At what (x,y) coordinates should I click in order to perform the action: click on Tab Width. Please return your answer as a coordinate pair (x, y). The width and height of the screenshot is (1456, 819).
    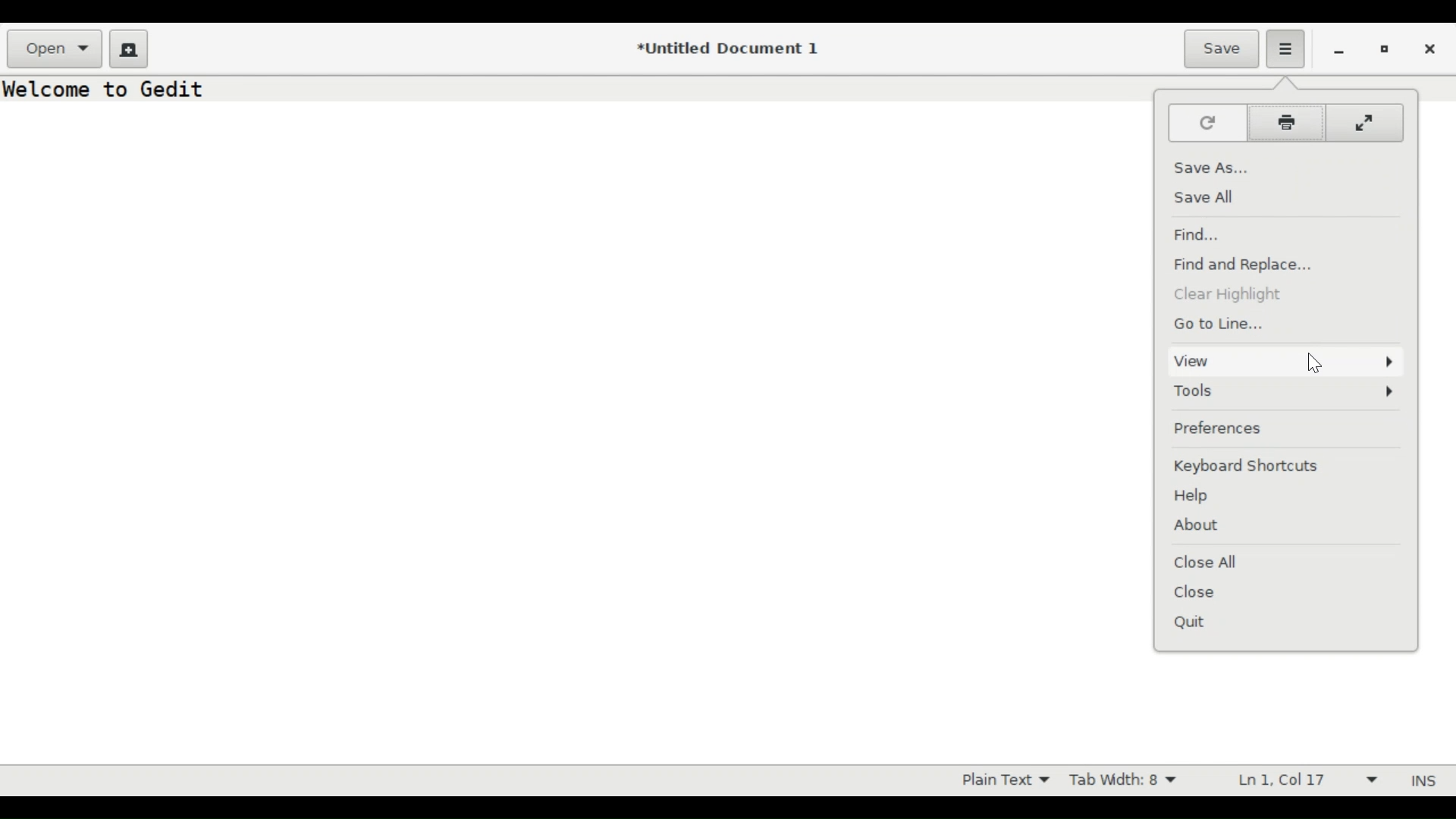
    Looking at the image, I should click on (1129, 780).